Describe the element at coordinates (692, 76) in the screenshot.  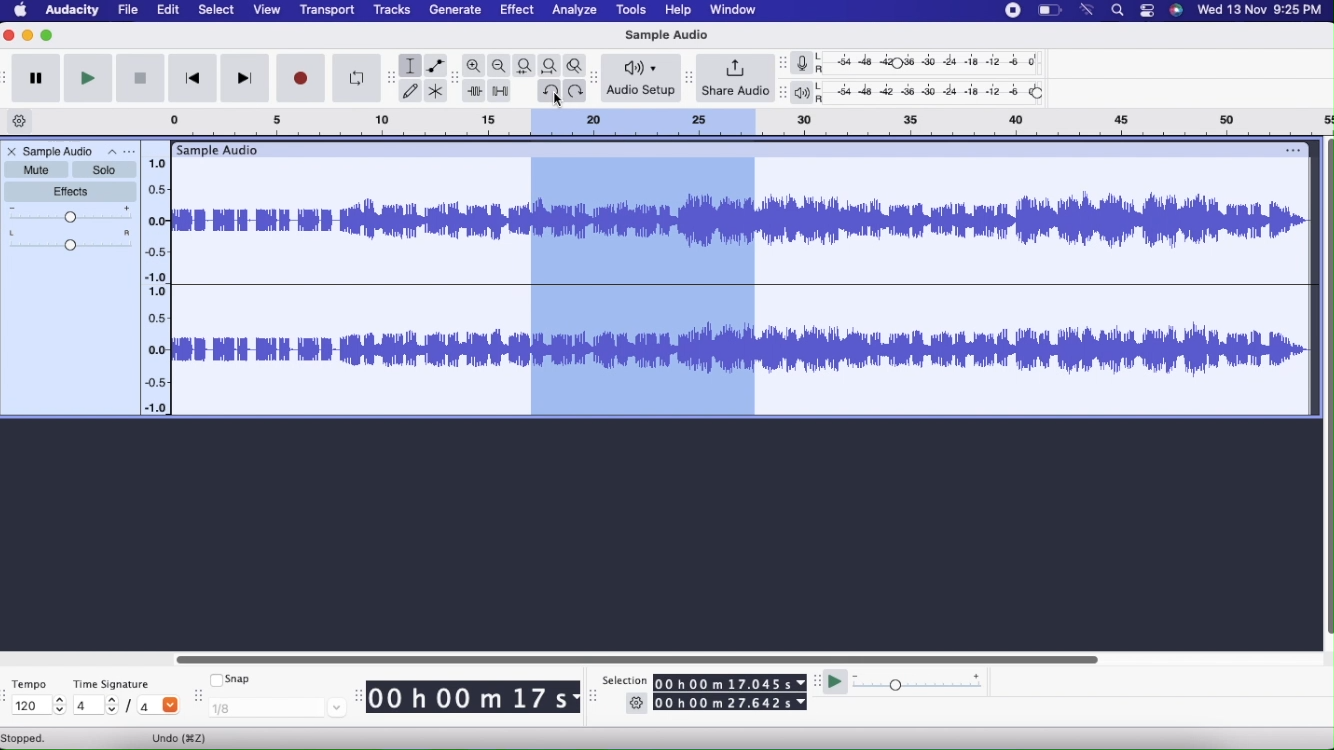
I see `move toolbar` at that location.